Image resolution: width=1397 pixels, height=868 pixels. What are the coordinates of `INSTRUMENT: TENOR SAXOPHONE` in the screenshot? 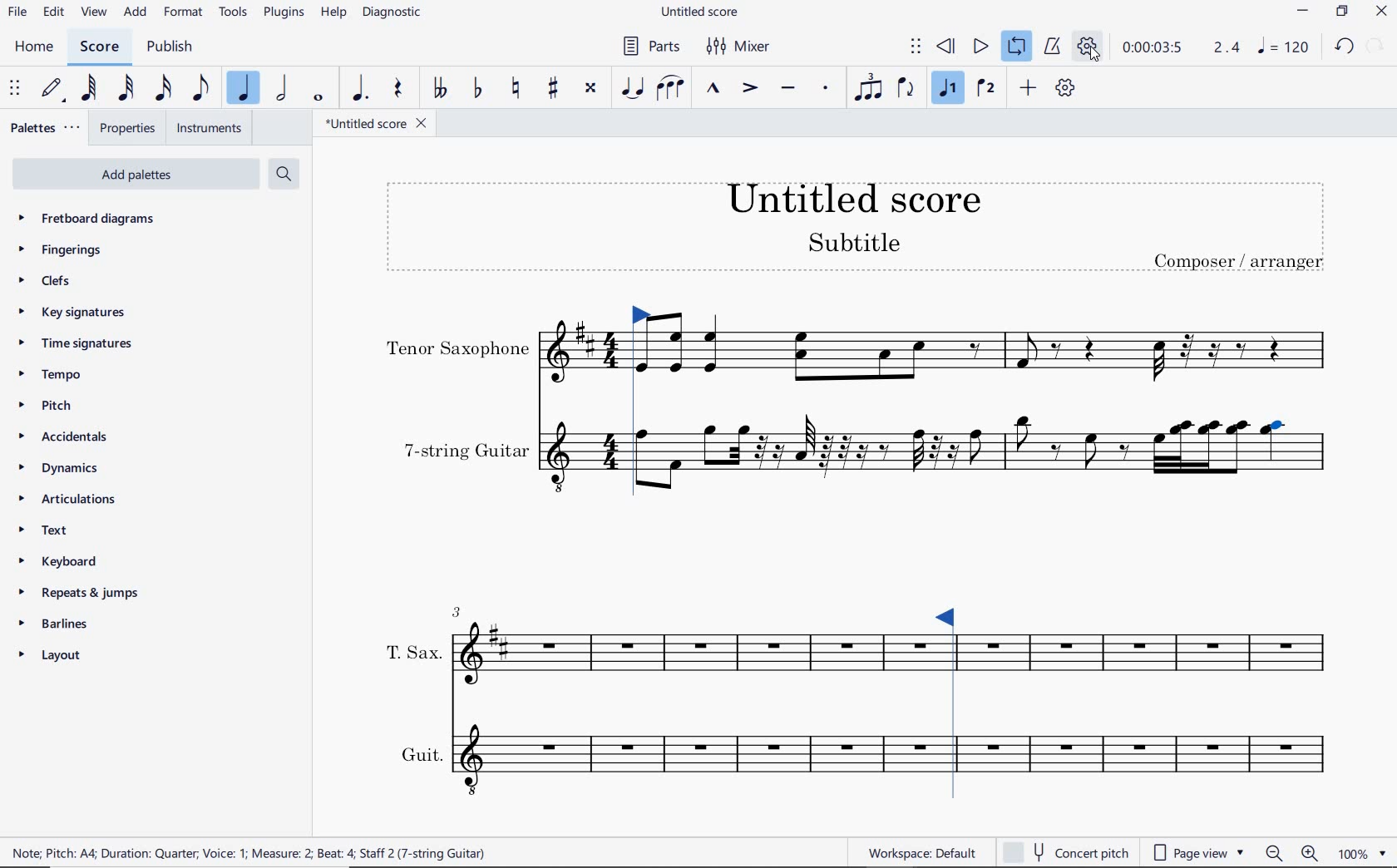 It's located at (1008, 348).